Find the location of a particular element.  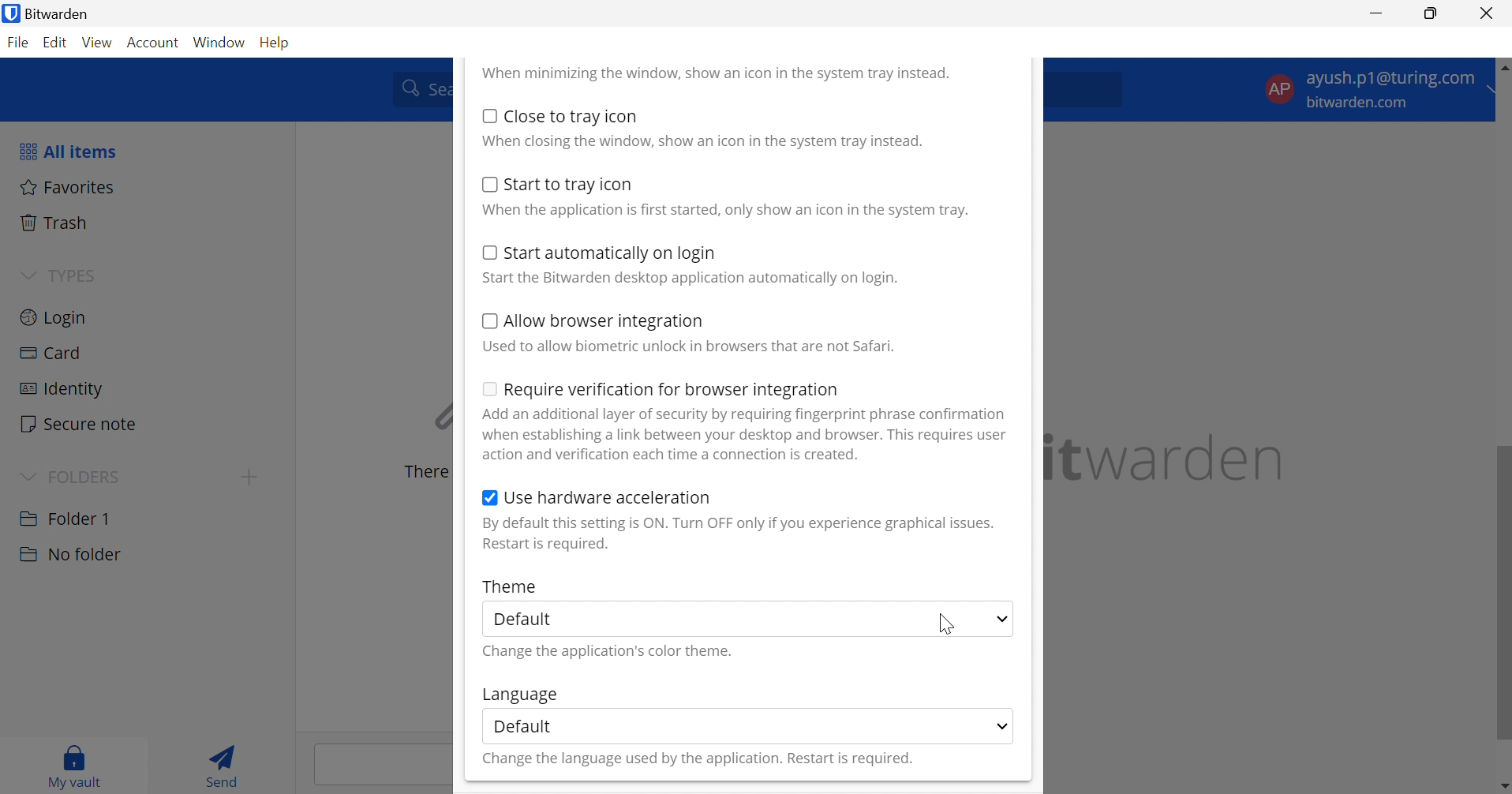

When closing the window show an icon in the system tray instead is located at coordinates (702, 140).